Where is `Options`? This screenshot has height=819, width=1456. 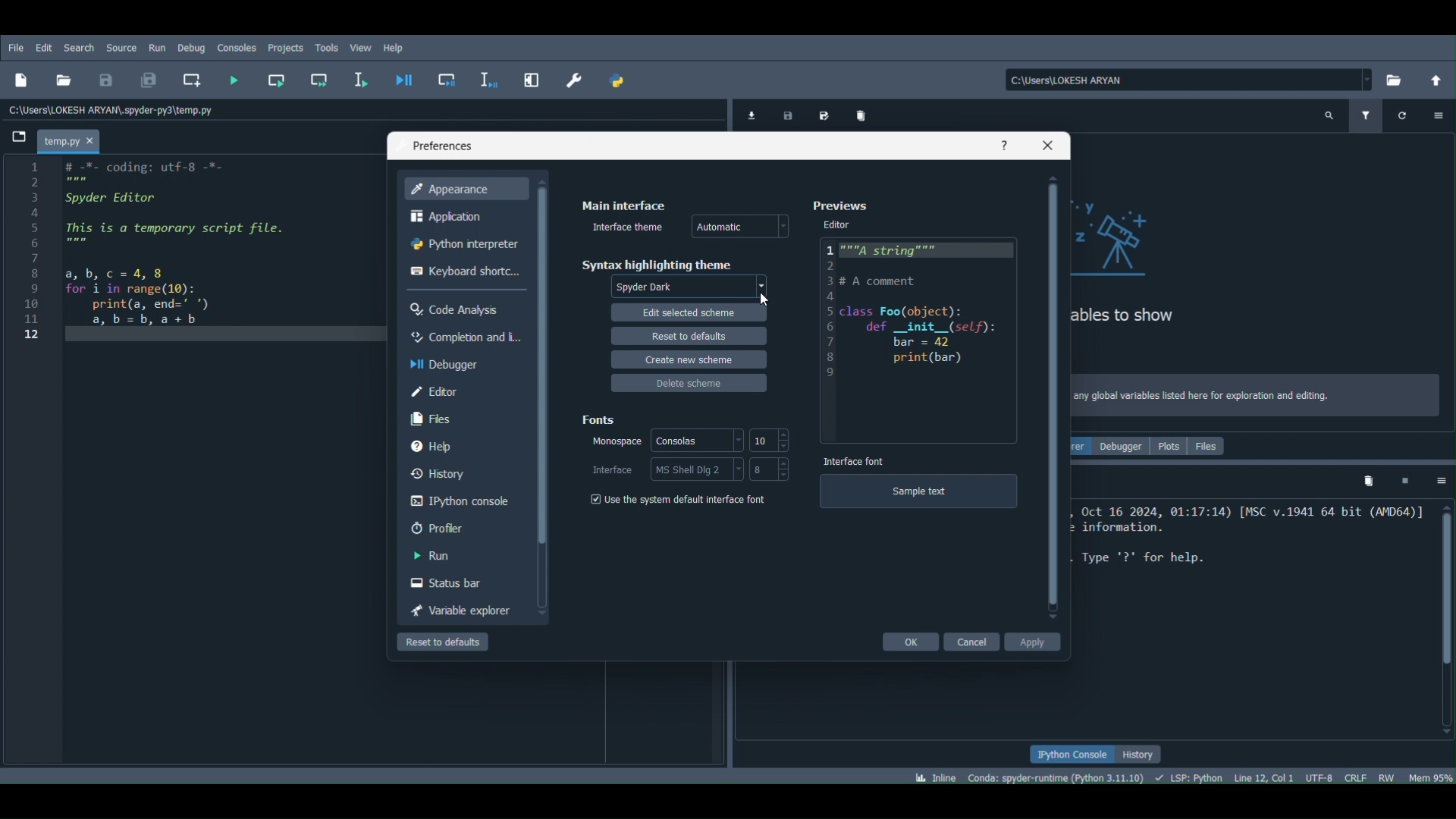
Options is located at coordinates (1441, 480).